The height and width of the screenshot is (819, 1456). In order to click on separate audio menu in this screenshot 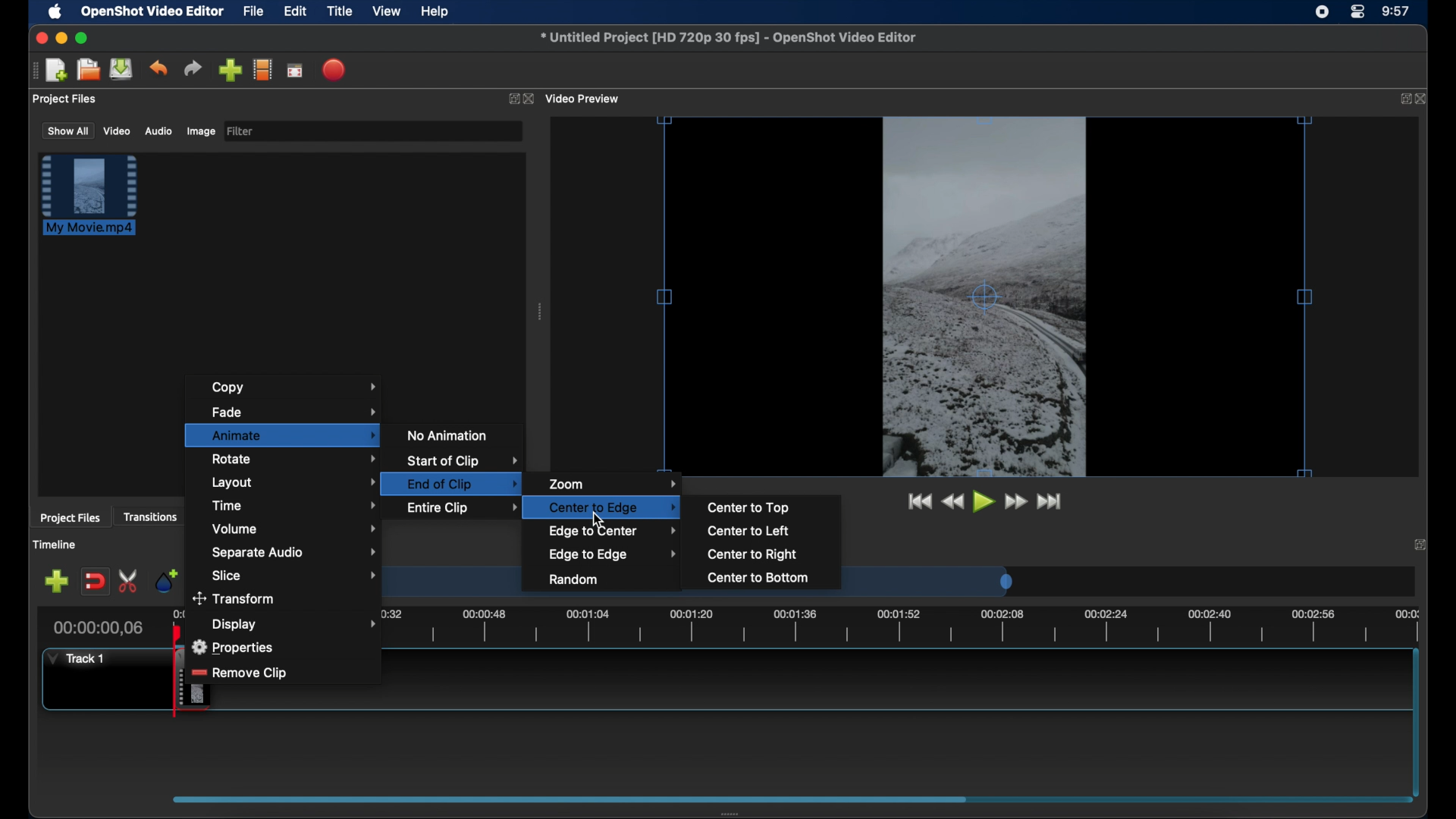, I will do `click(295, 554)`.